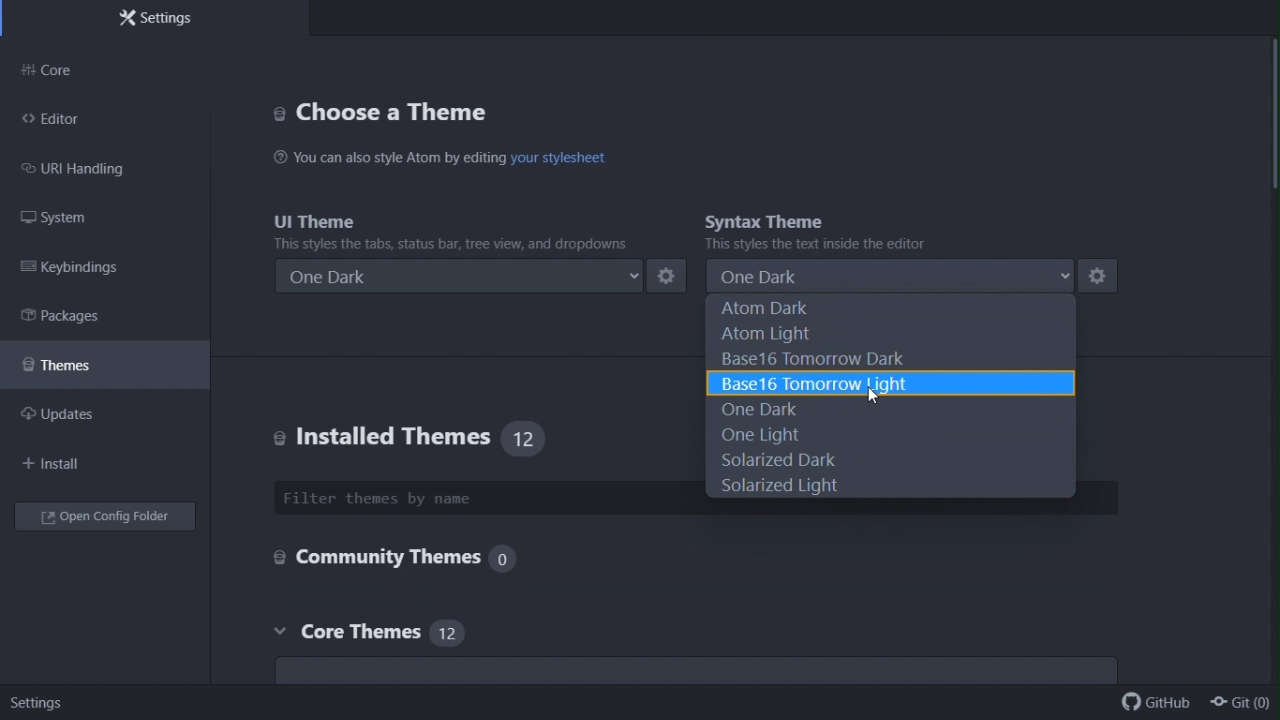  Describe the element at coordinates (891, 359) in the screenshot. I see `Base 16 tomorrow dark` at that location.